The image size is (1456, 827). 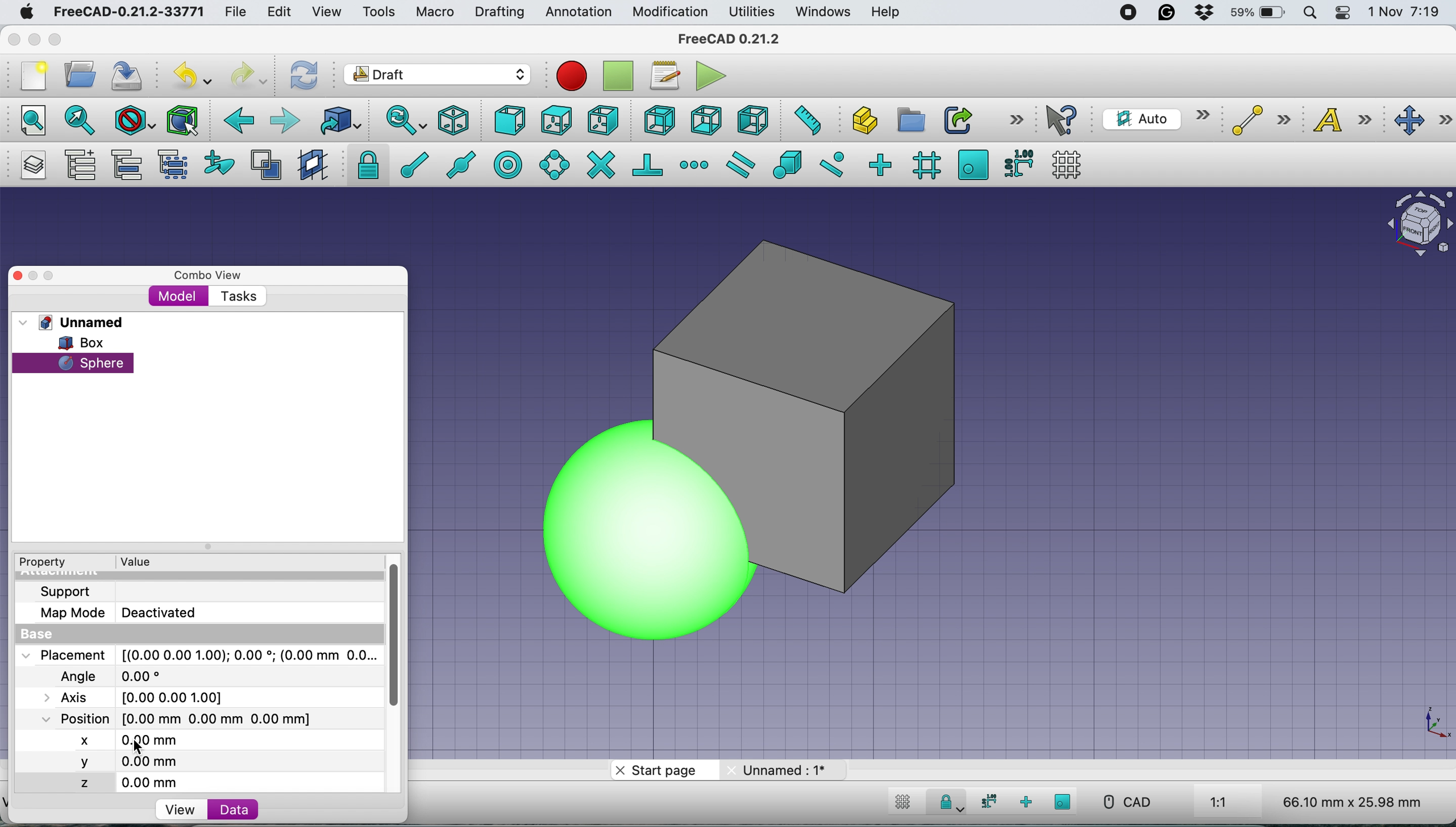 What do you see at coordinates (76, 322) in the screenshot?
I see `unnamed` at bounding box center [76, 322].